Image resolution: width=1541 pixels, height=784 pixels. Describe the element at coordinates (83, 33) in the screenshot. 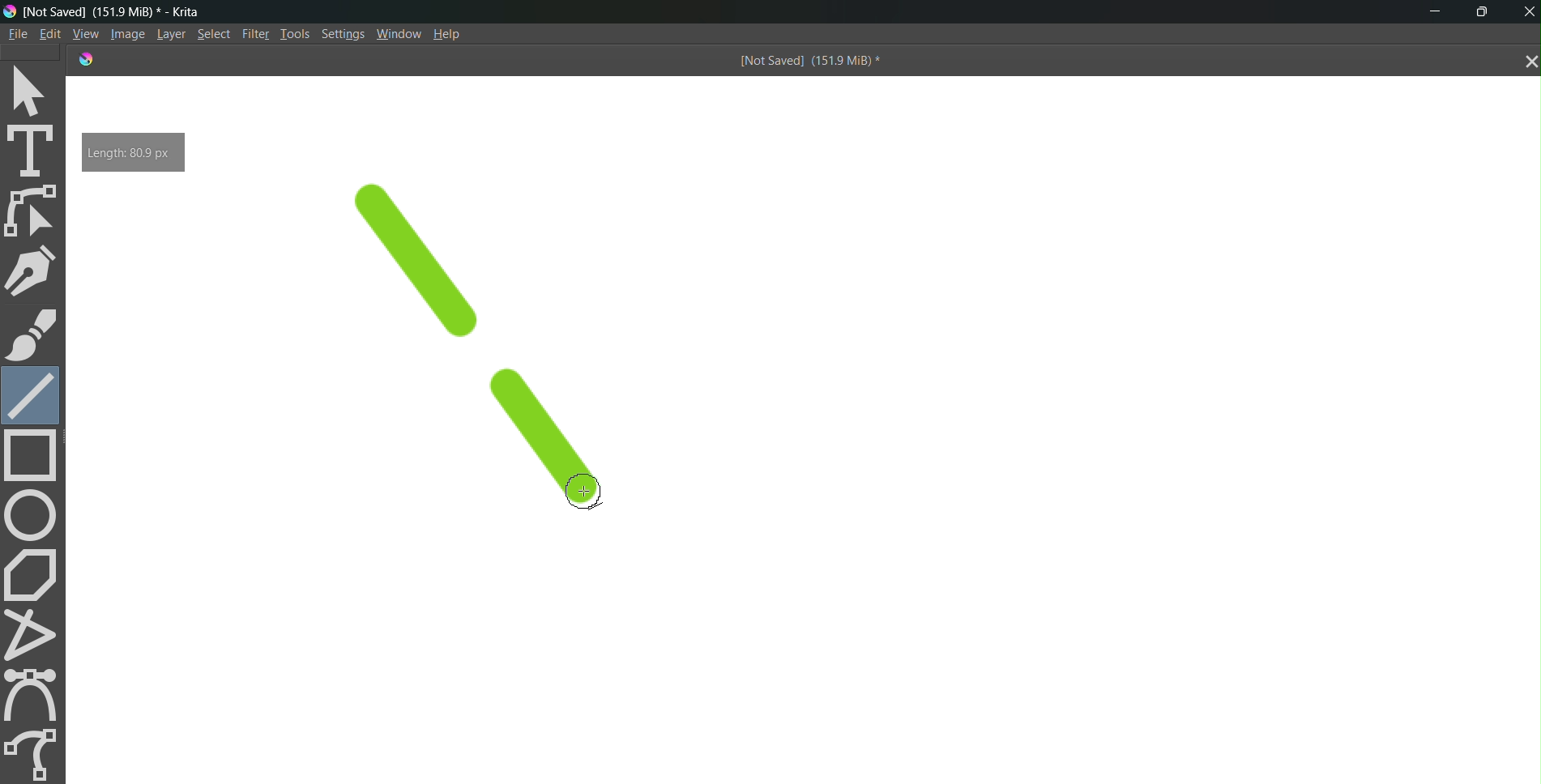

I see `View` at that location.